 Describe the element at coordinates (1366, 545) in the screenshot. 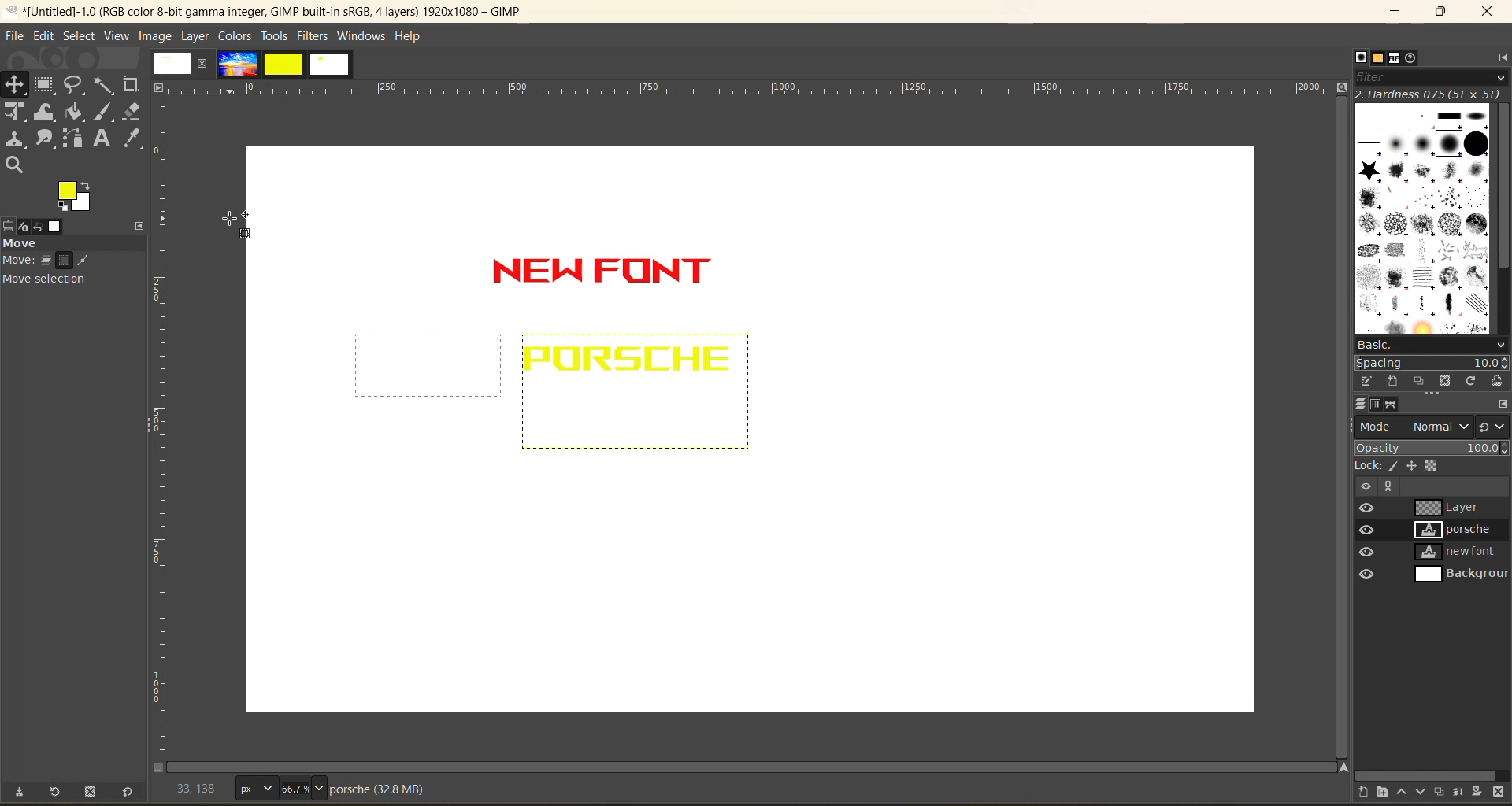

I see `preview` at that location.